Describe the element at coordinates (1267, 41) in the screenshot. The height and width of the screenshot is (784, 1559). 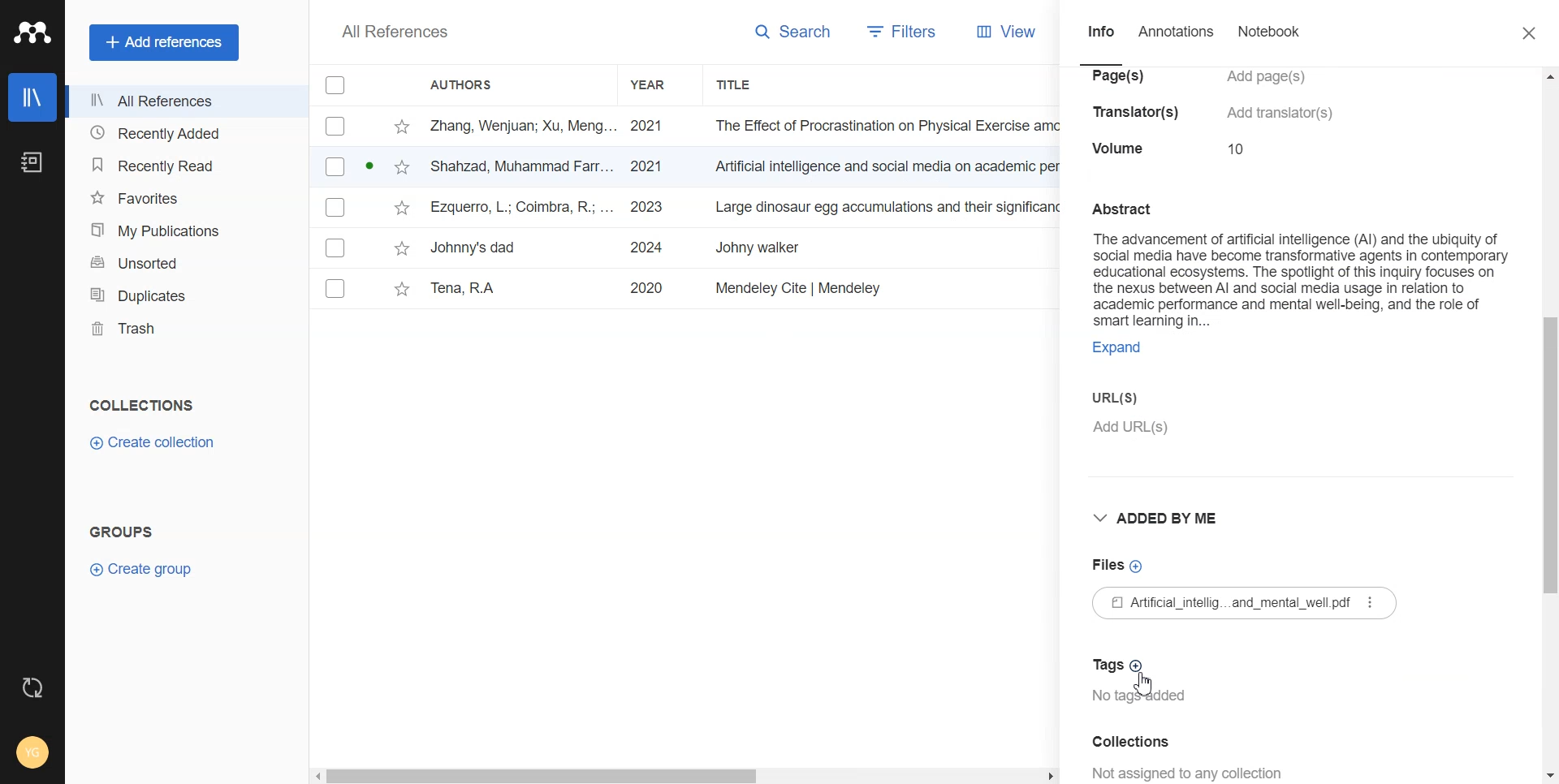
I see `Notebook` at that location.